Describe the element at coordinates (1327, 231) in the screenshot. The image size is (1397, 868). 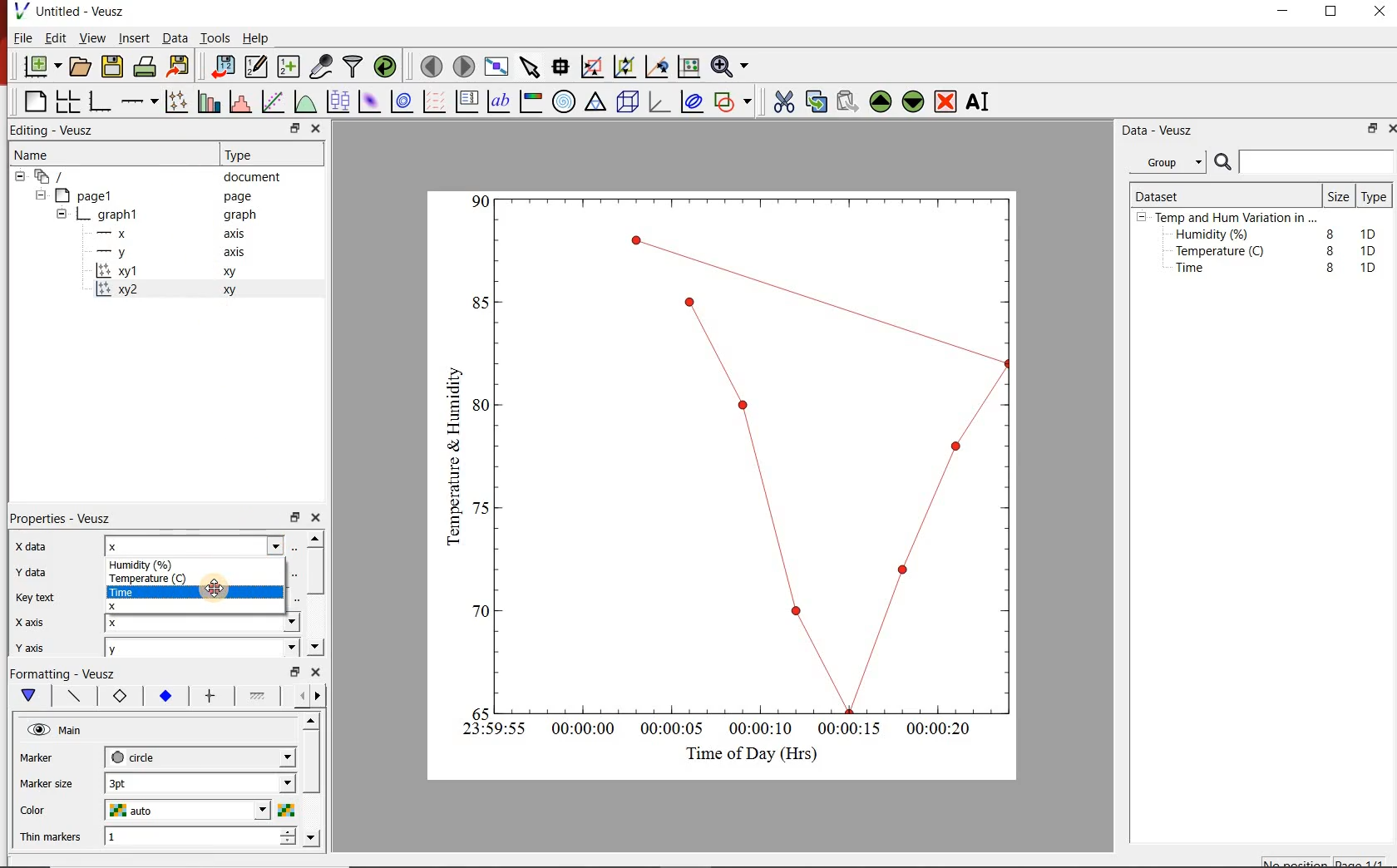
I see `8` at that location.